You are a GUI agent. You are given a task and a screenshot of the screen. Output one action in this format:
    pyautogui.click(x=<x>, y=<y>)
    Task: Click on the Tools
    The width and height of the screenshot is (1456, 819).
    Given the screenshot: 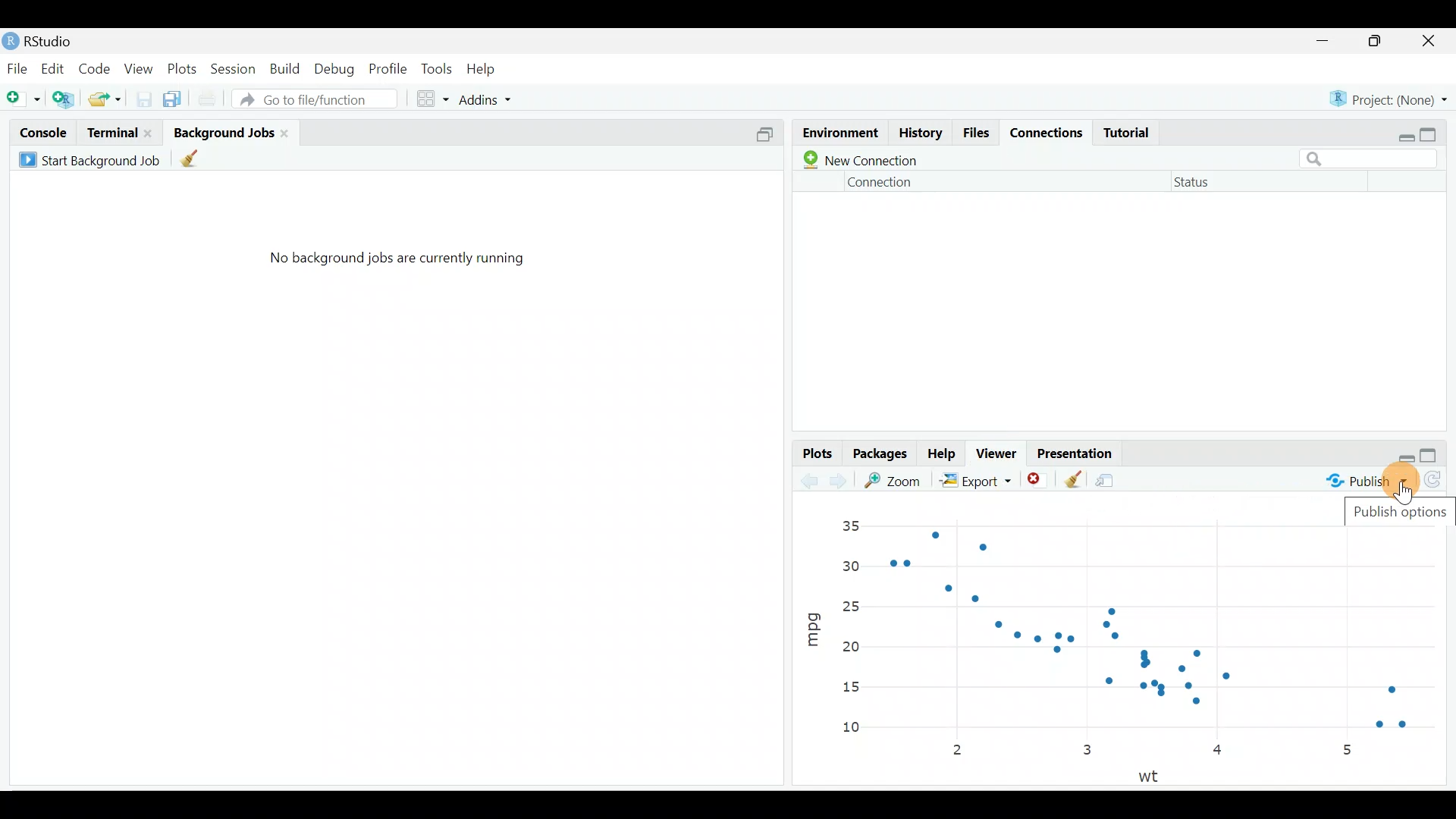 What is the action you would take?
    pyautogui.click(x=436, y=71)
    